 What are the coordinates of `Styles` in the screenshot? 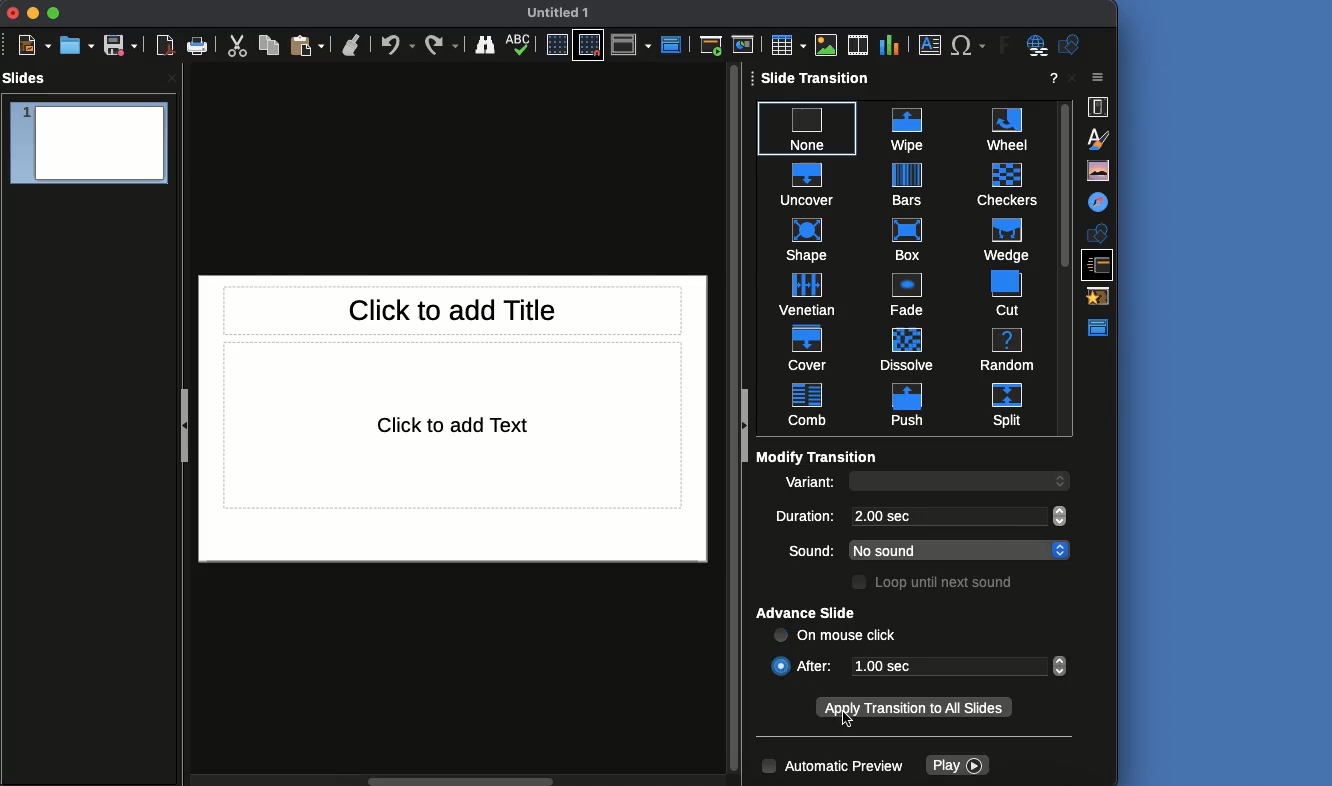 It's located at (1096, 138).